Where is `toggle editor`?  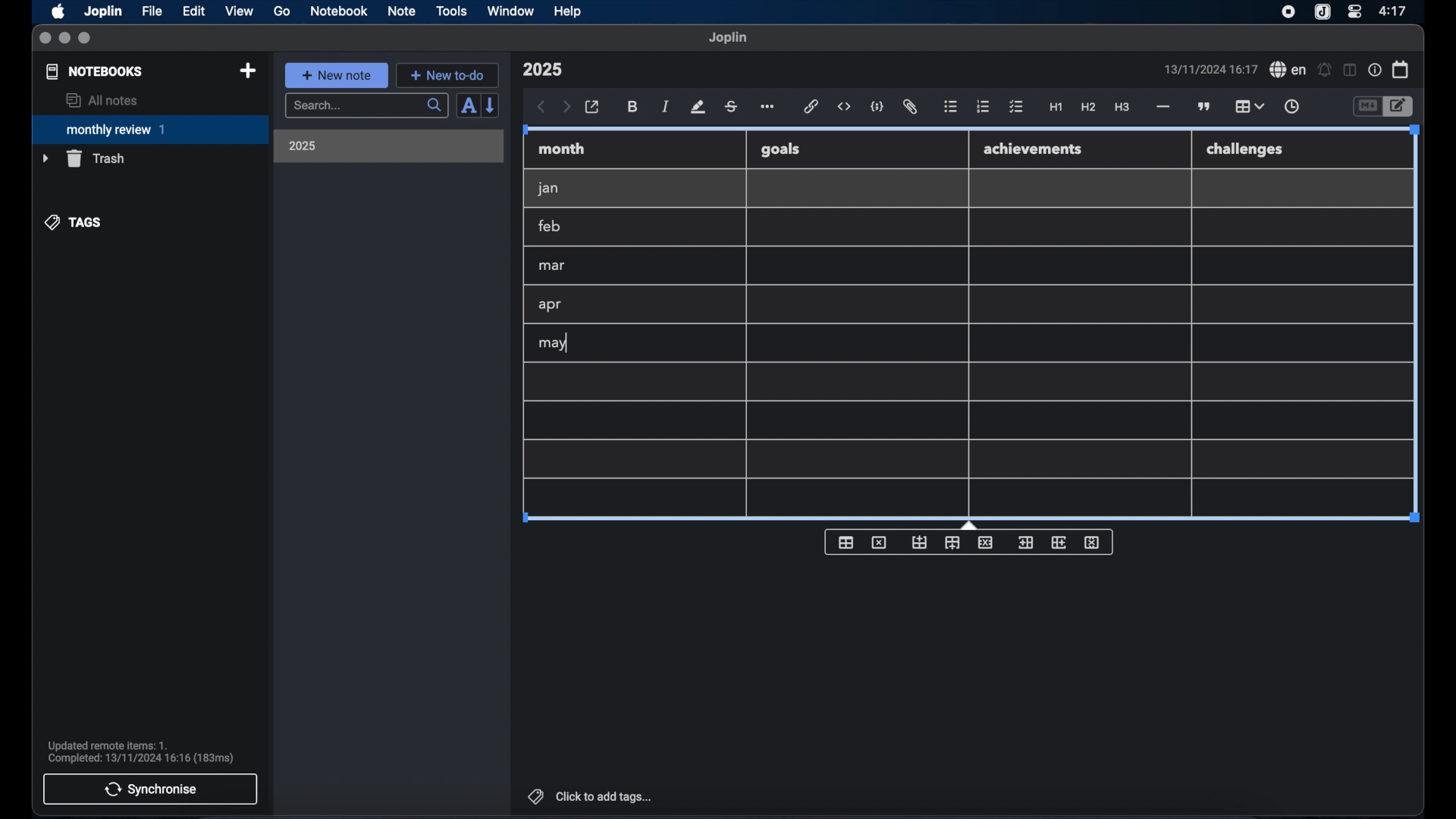
toggle editor is located at coordinates (1401, 107).